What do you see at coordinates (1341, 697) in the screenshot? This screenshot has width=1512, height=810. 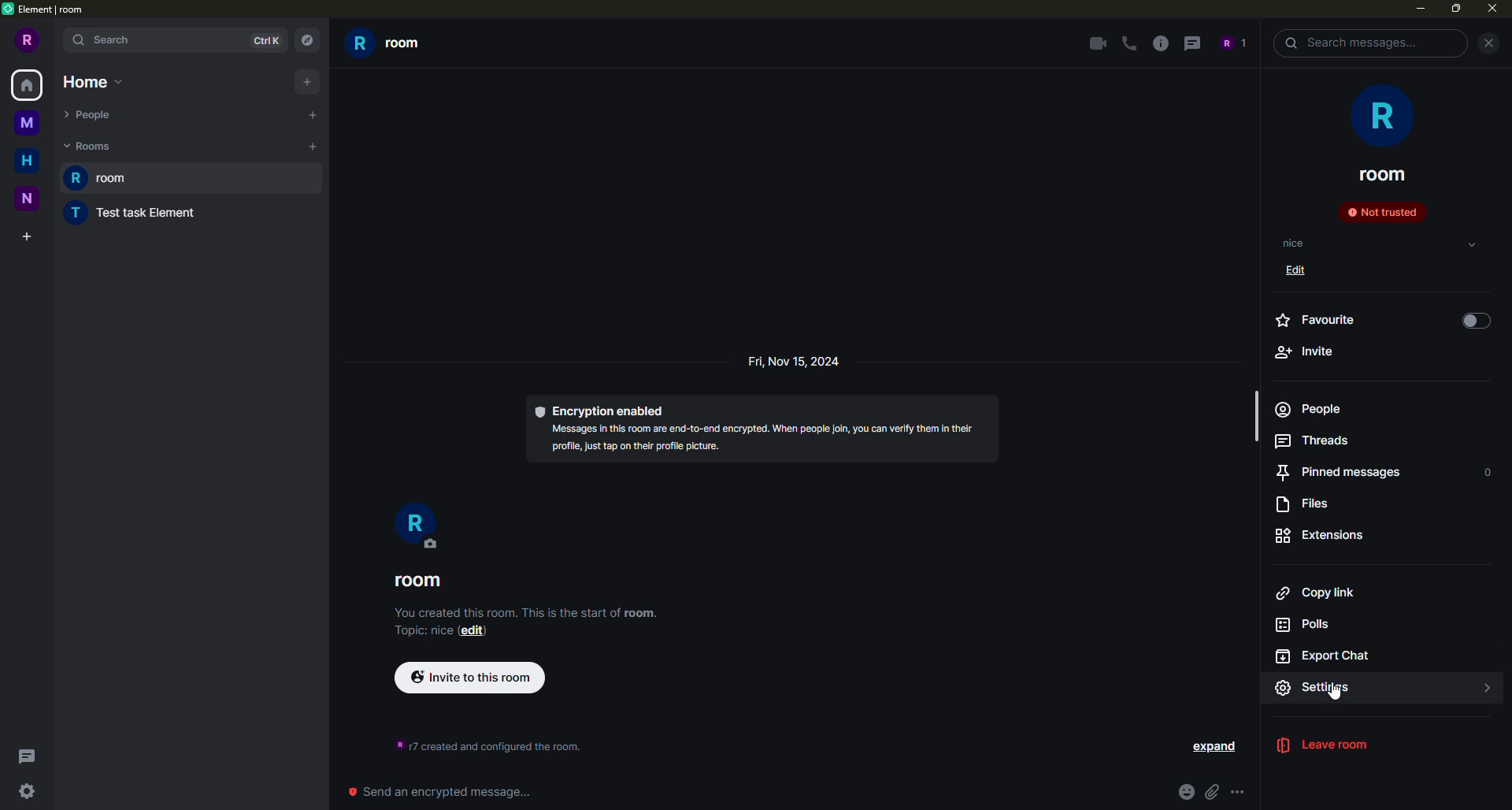 I see `Cursor` at bounding box center [1341, 697].